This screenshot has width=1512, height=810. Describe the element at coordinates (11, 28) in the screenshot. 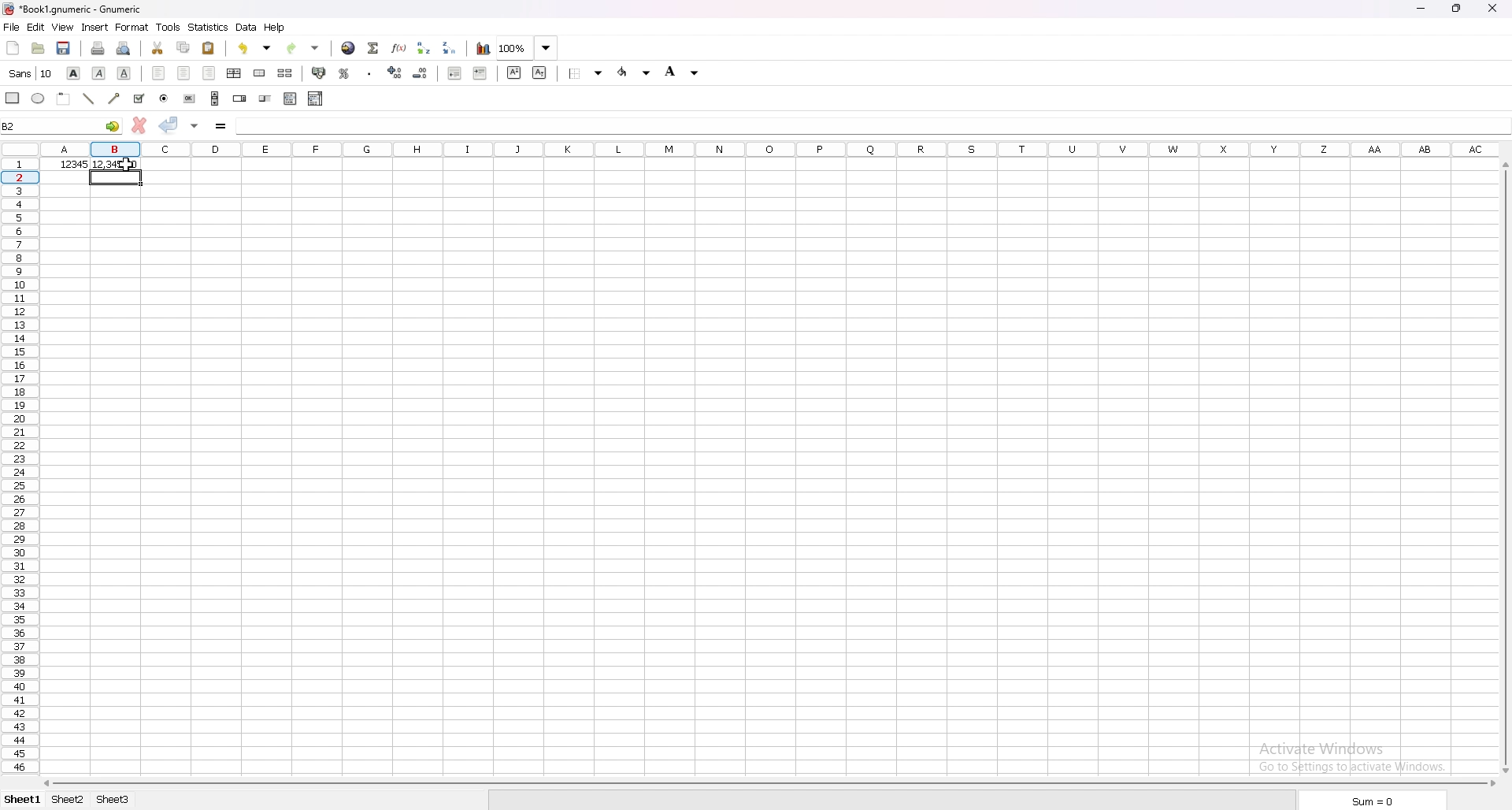

I see `file` at that location.